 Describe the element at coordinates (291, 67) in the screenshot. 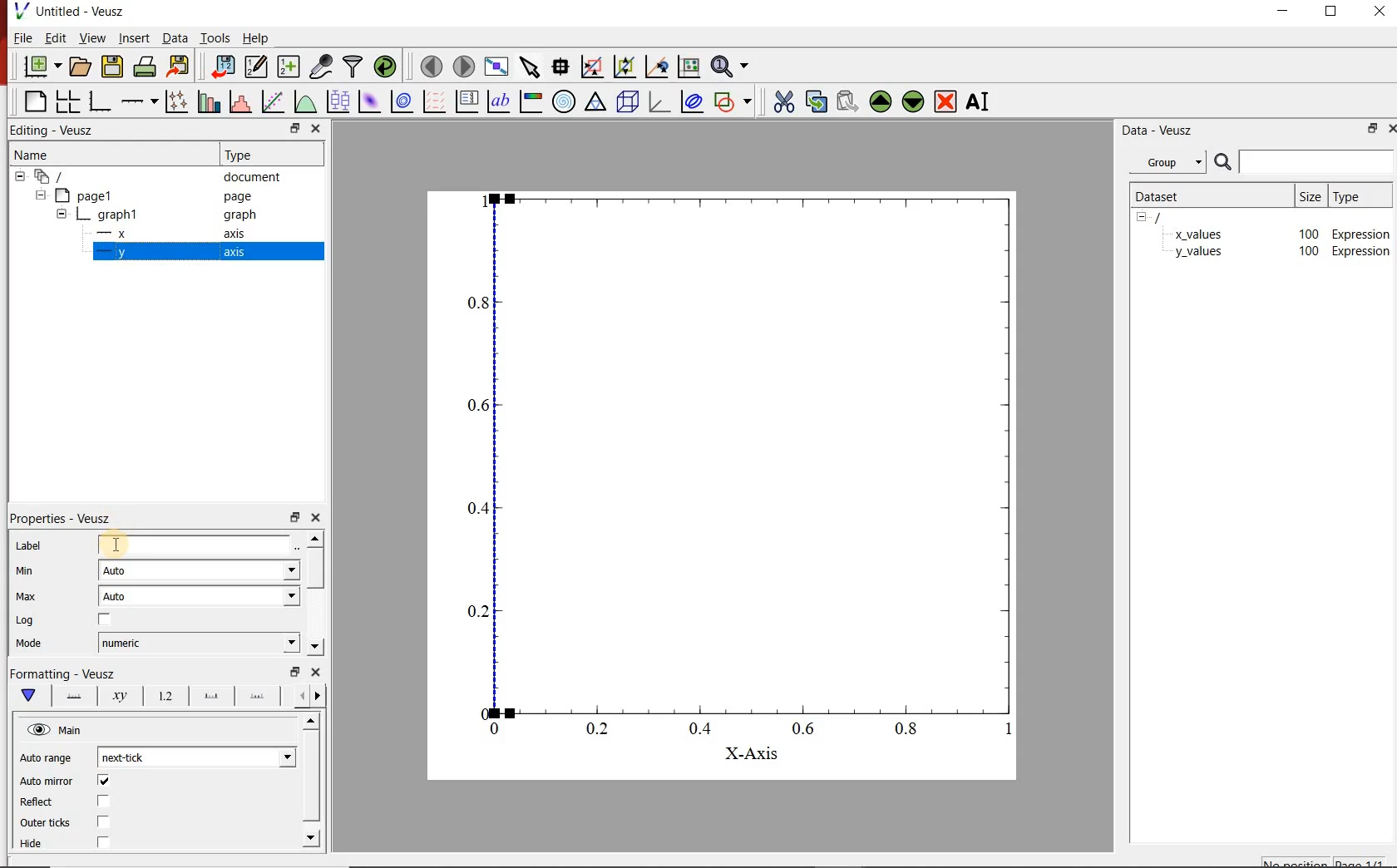

I see `create new datasets using ranges, parametrically or as functions of existing datasets` at that location.